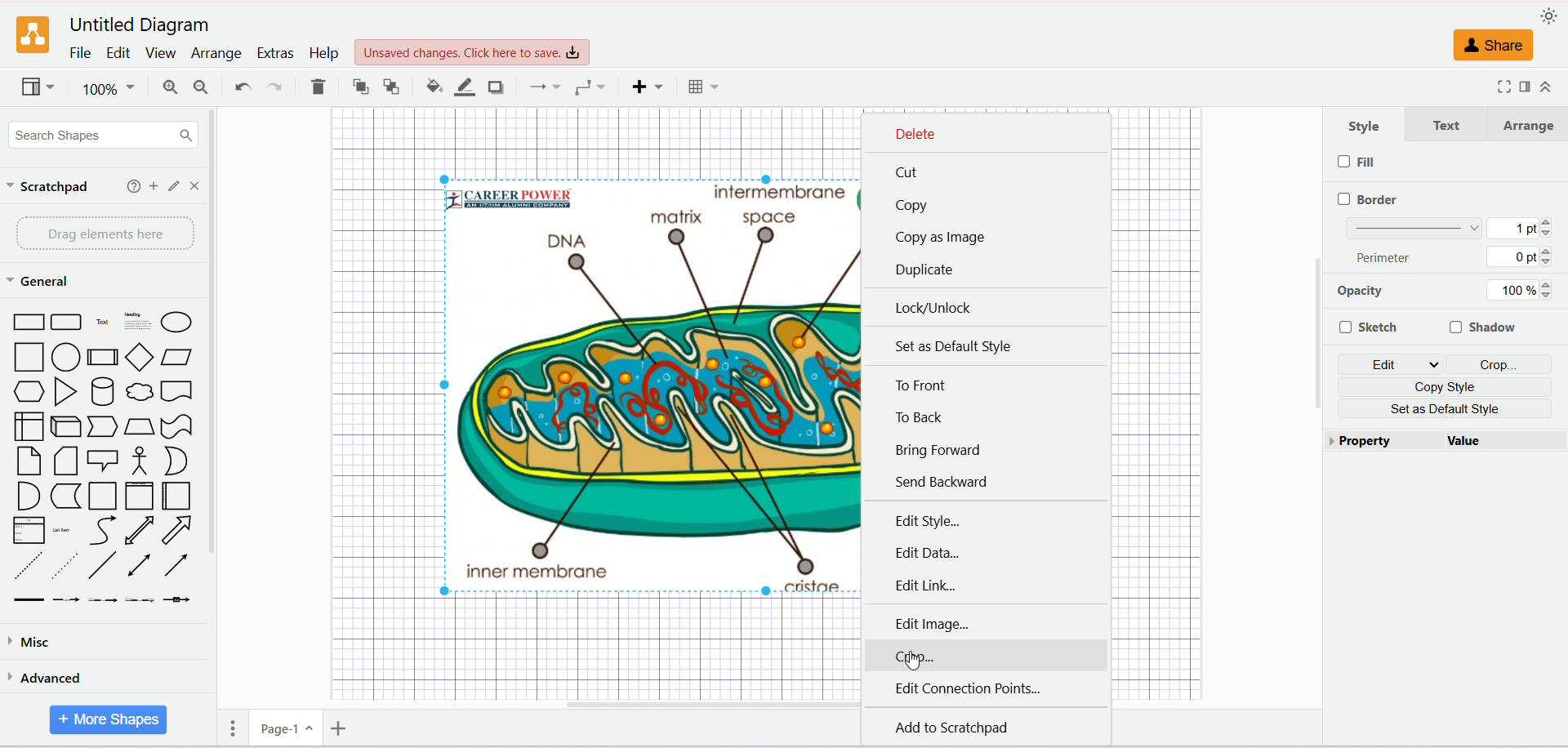 The height and width of the screenshot is (748, 1568). What do you see at coordinates (1361, 292) in the screenshot?
I see `opacity` at bounding box center [1361, 292].